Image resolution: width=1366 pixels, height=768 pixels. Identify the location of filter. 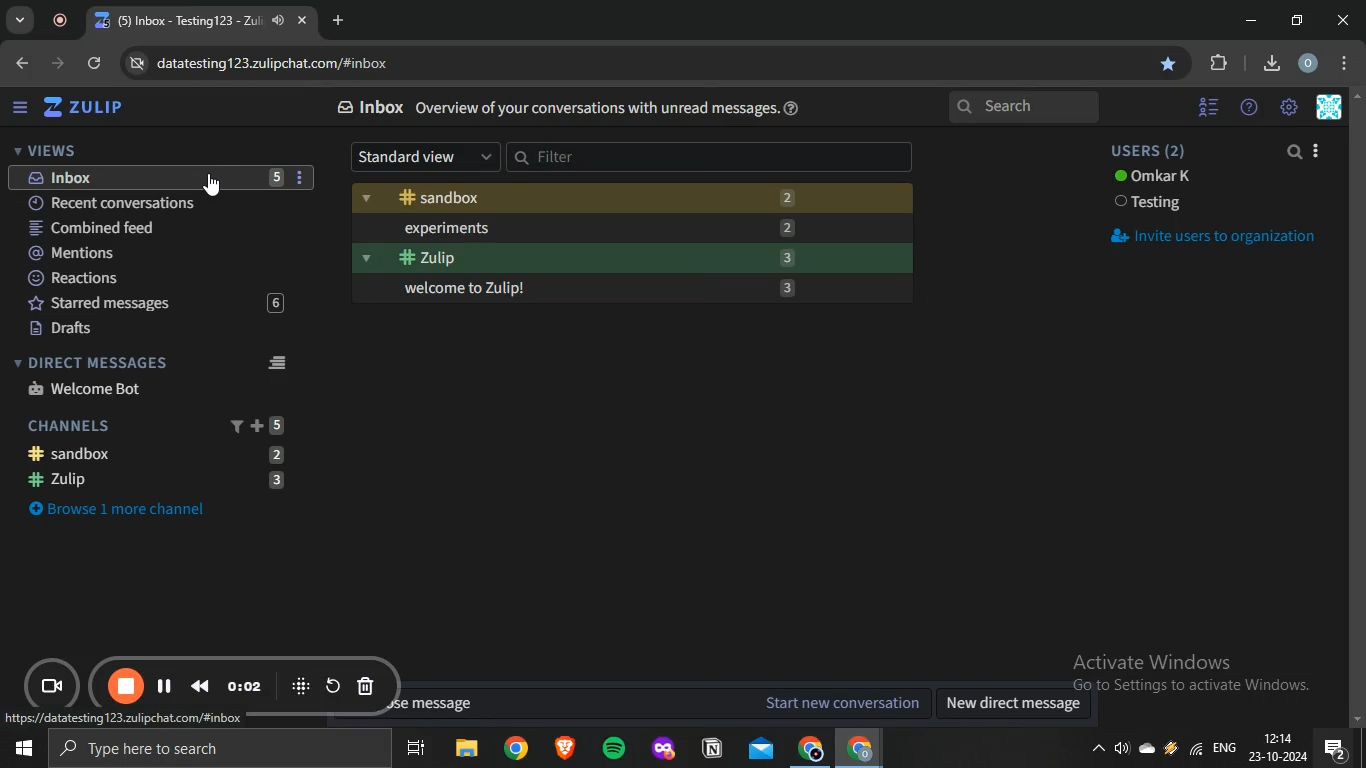
(711, 157).